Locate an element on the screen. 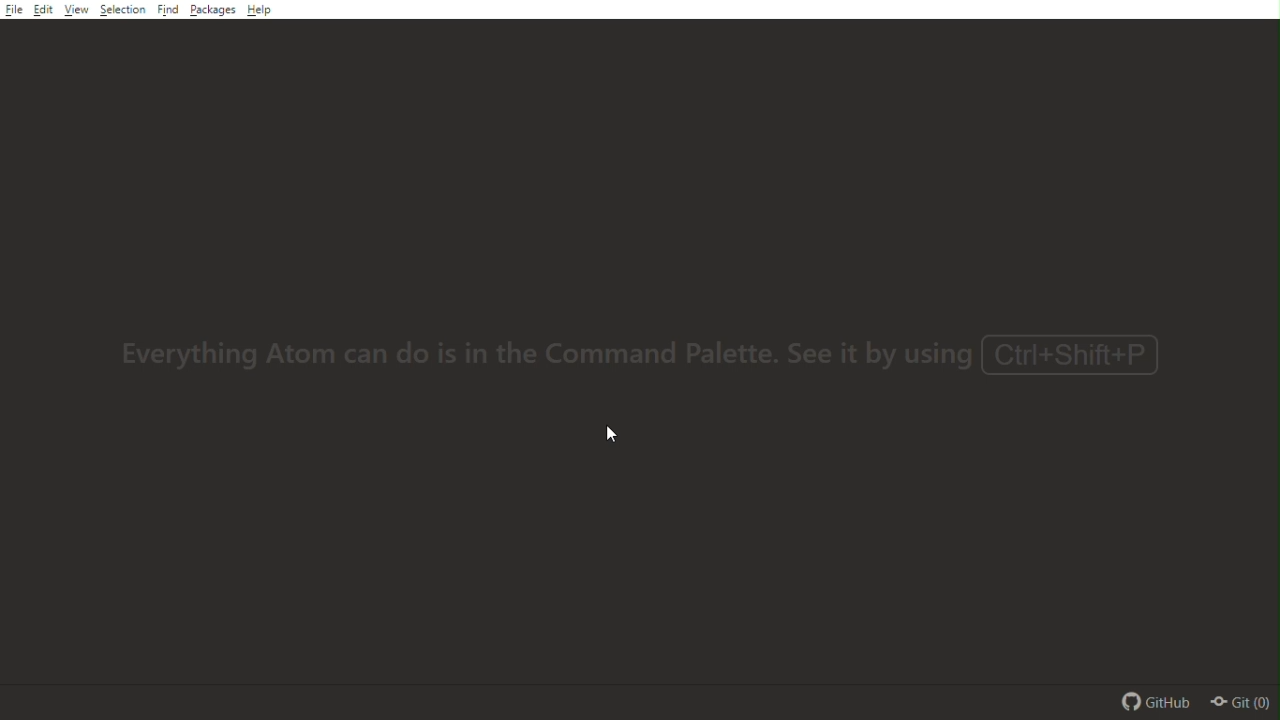 The height and width of the screenshot is (720, 1280). mouse is located at coordinates (619, 434).